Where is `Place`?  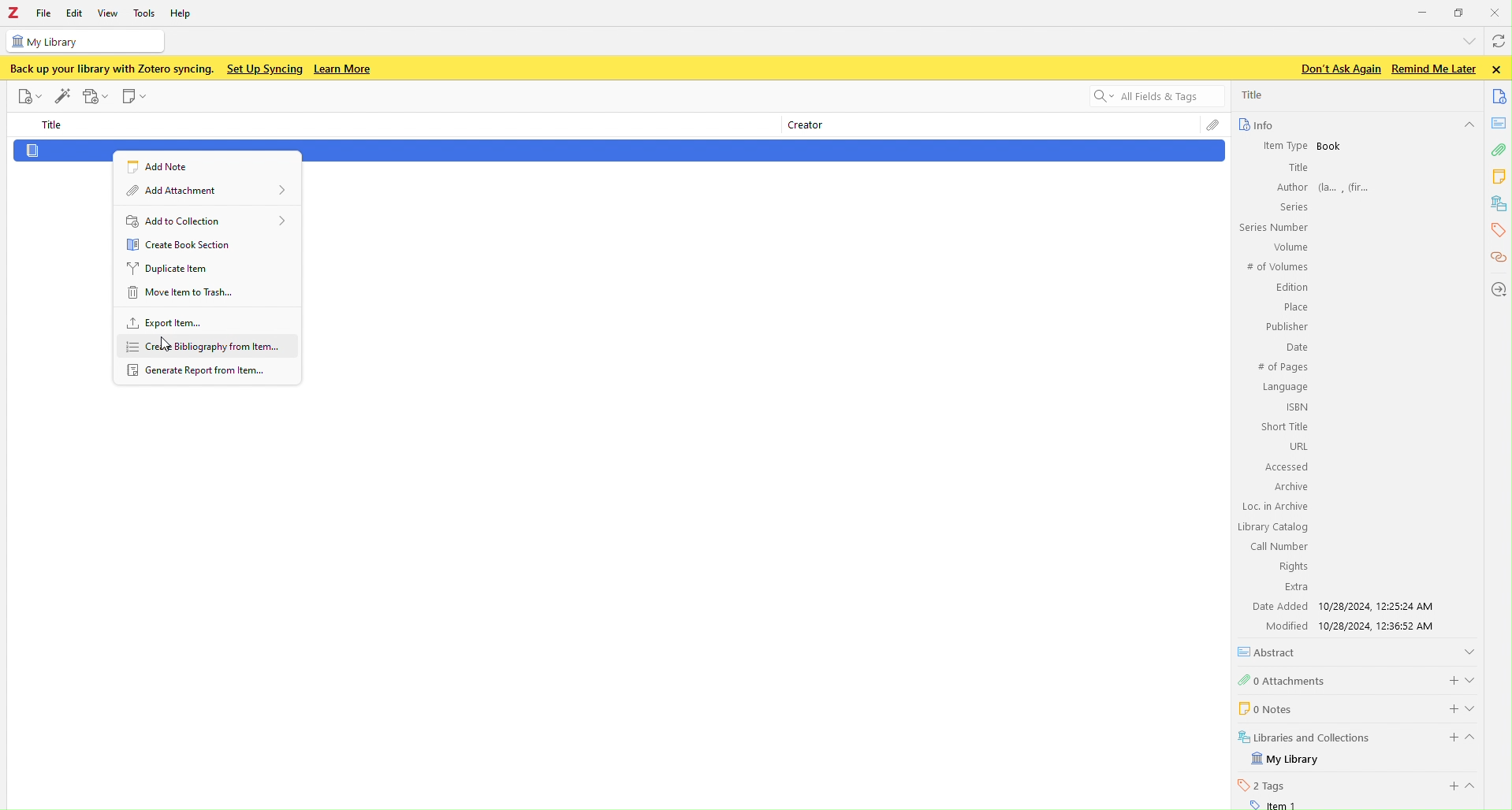
Place is located at coordinates (1294, 307).